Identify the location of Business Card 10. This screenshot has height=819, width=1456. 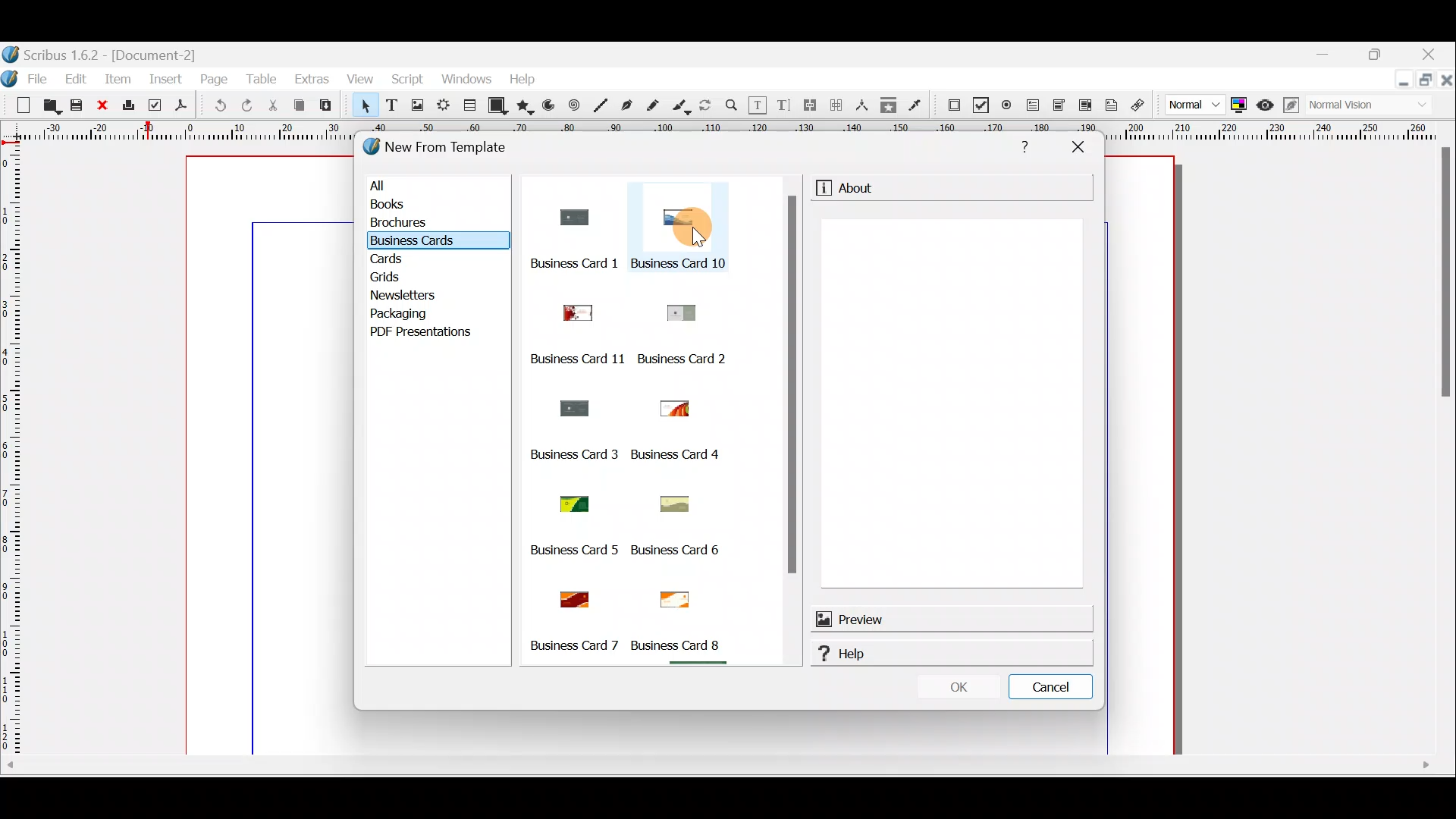
(681, 262).